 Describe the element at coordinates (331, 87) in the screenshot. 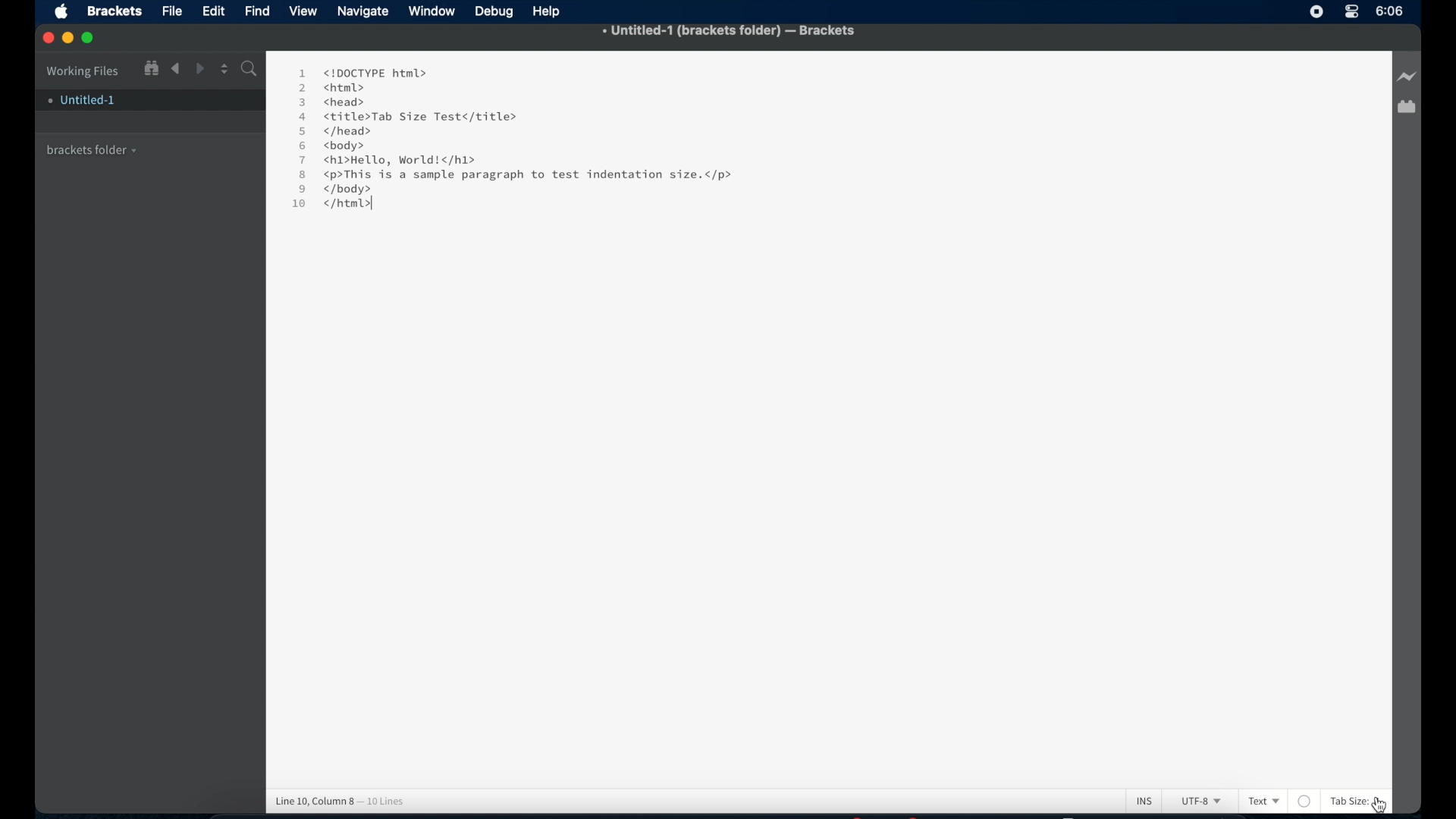

I see `2 <html>` at that location.